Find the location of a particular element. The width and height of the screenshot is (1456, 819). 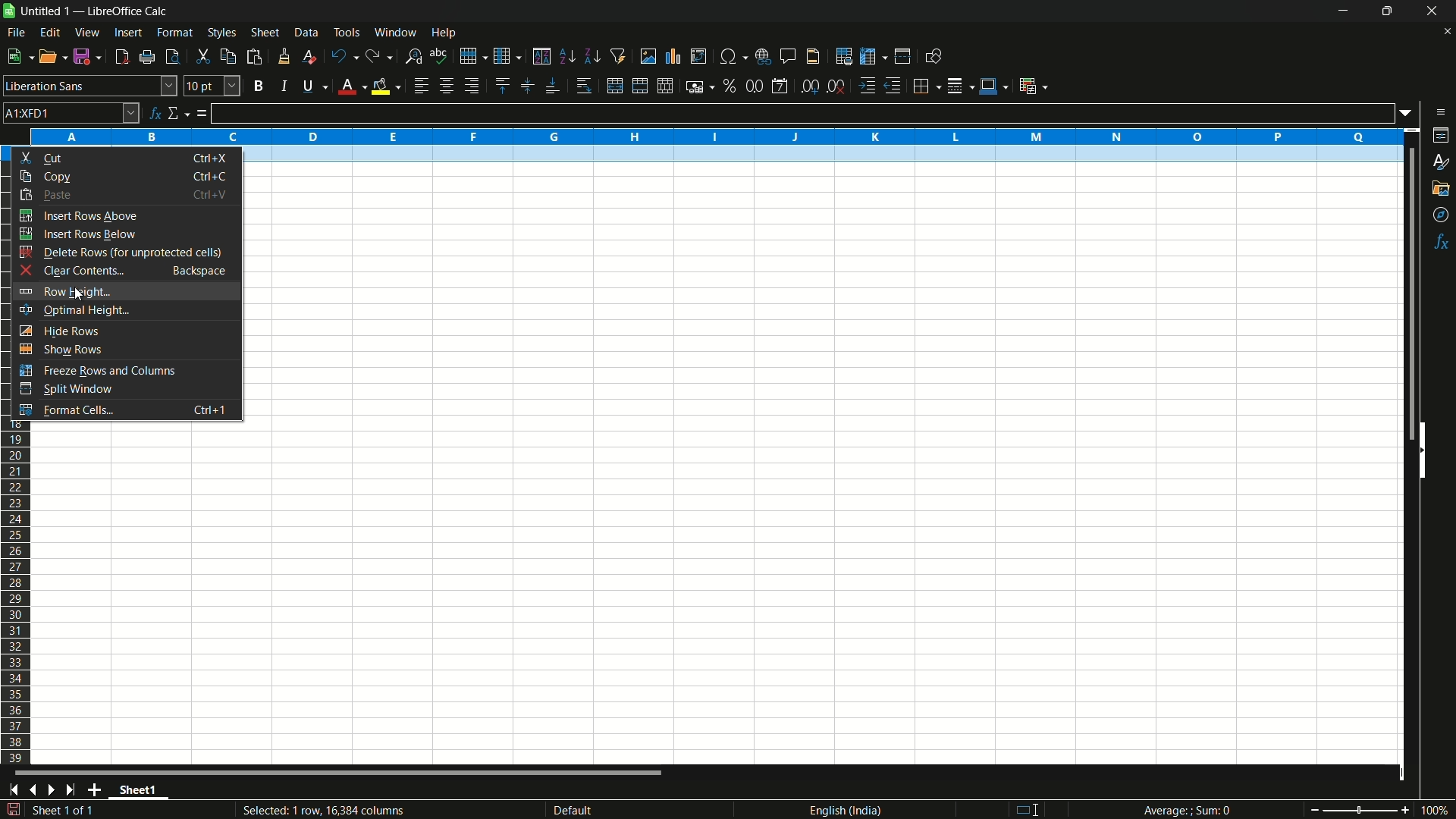

edit menu is located at coordinates (50, 32).